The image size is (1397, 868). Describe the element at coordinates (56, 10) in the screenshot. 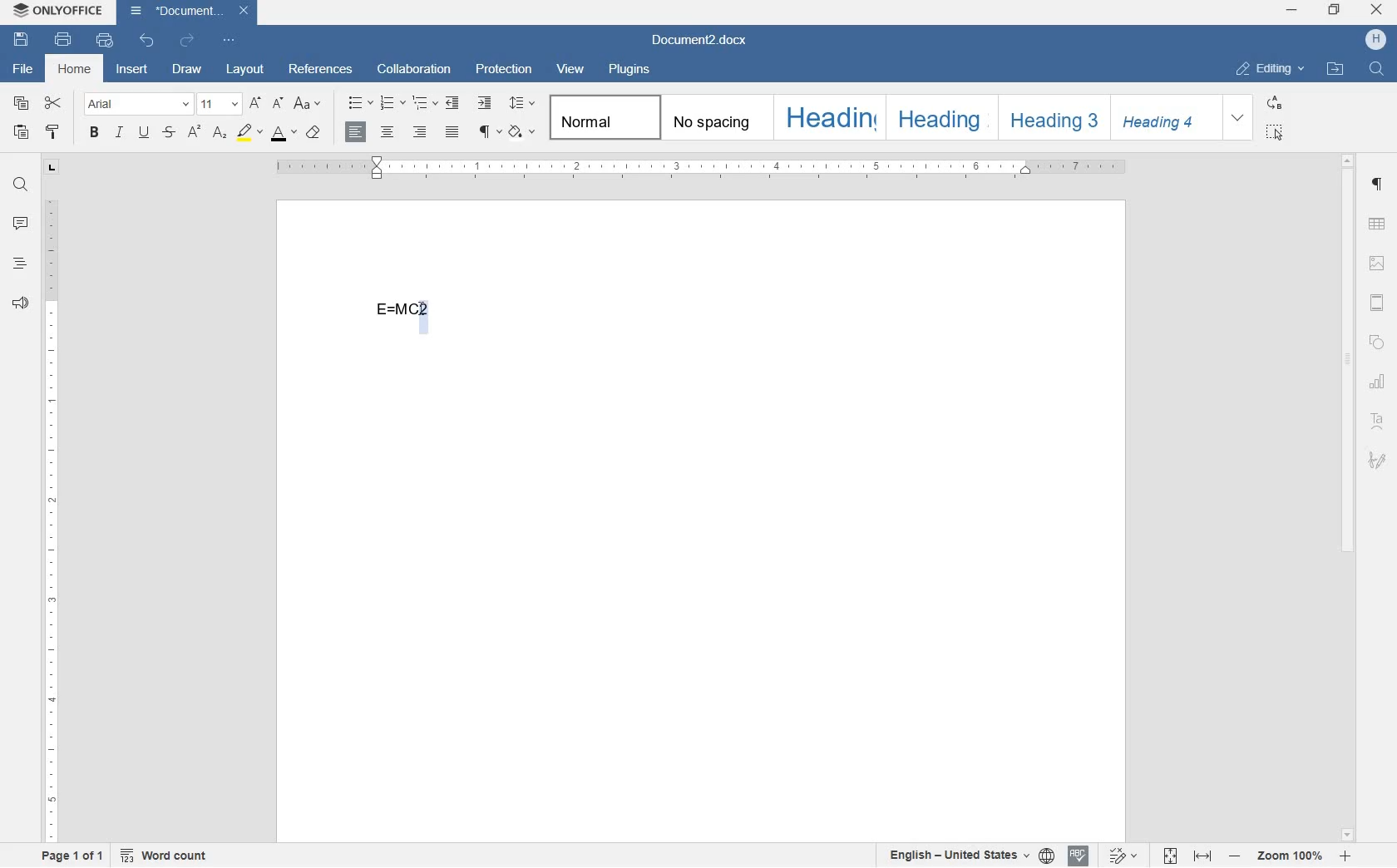

I see `system name` at that location.